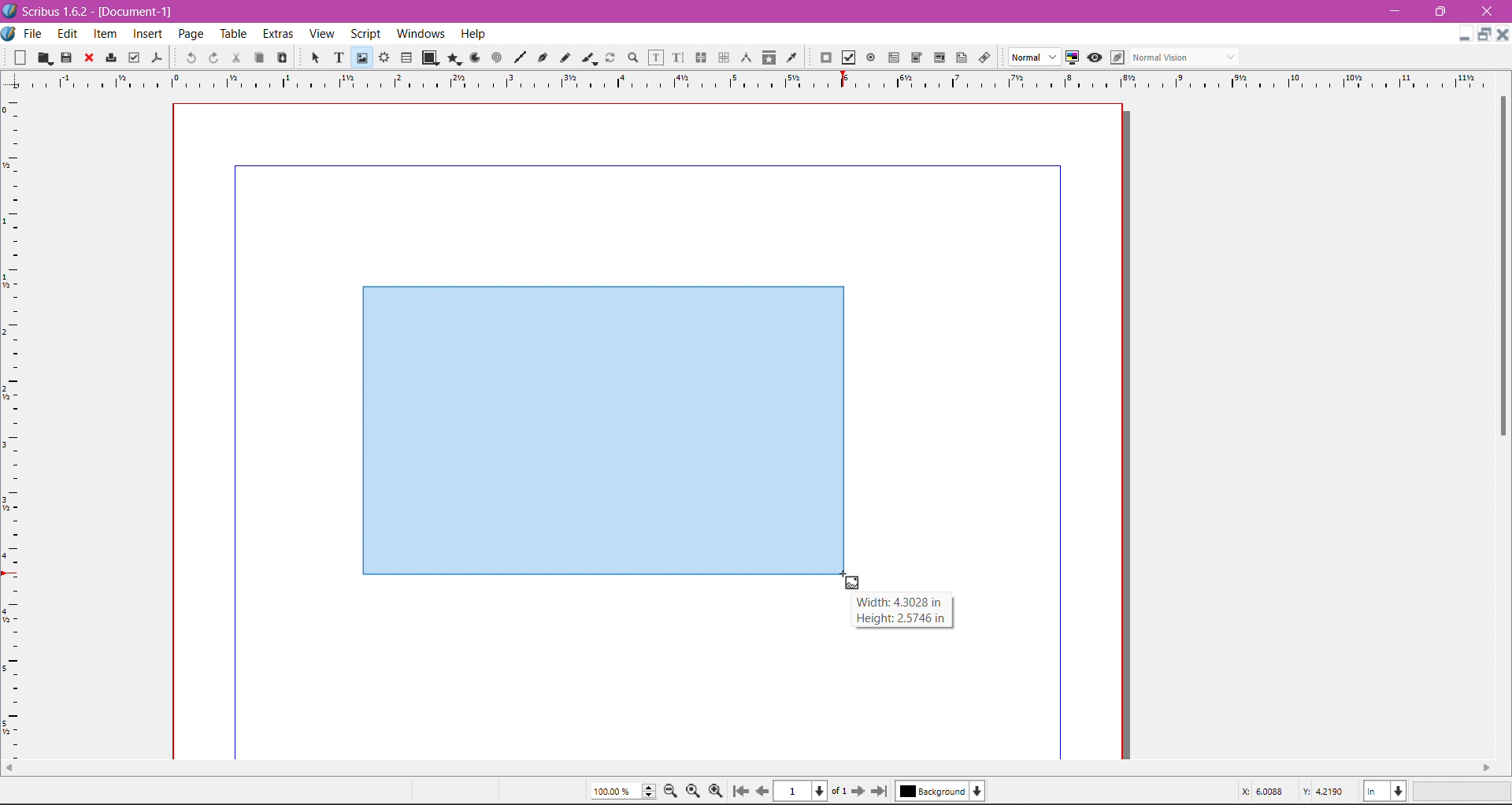 Image resolution: width=1512 pixels, height=805 pixels. What do you see at coordinates (825, 57) in the screenshot?
I see `PDF Push Button` at bounding box center [825, 57].